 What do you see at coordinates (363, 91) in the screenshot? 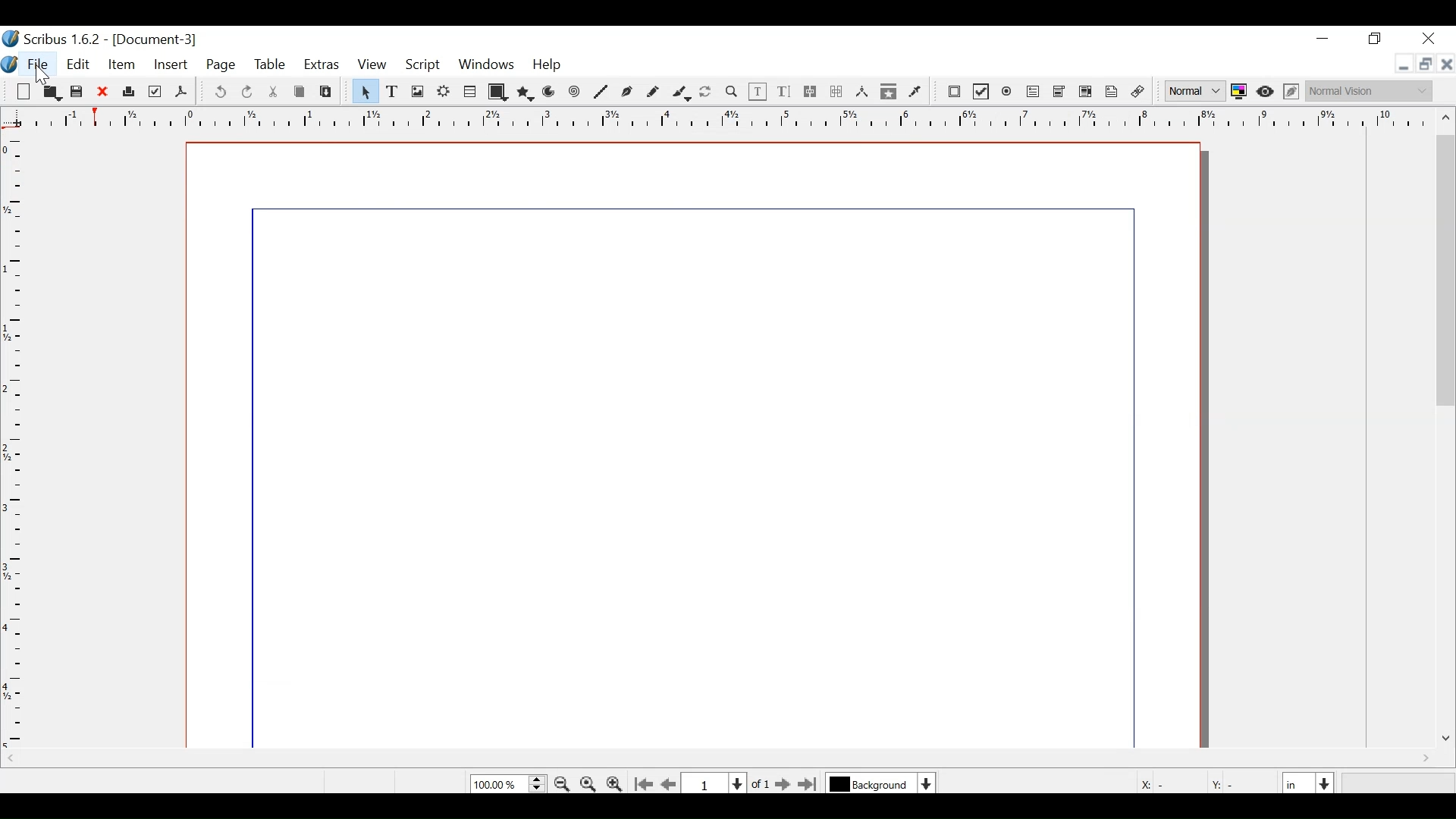
I see `Select ` at bounding box center [363, 91].